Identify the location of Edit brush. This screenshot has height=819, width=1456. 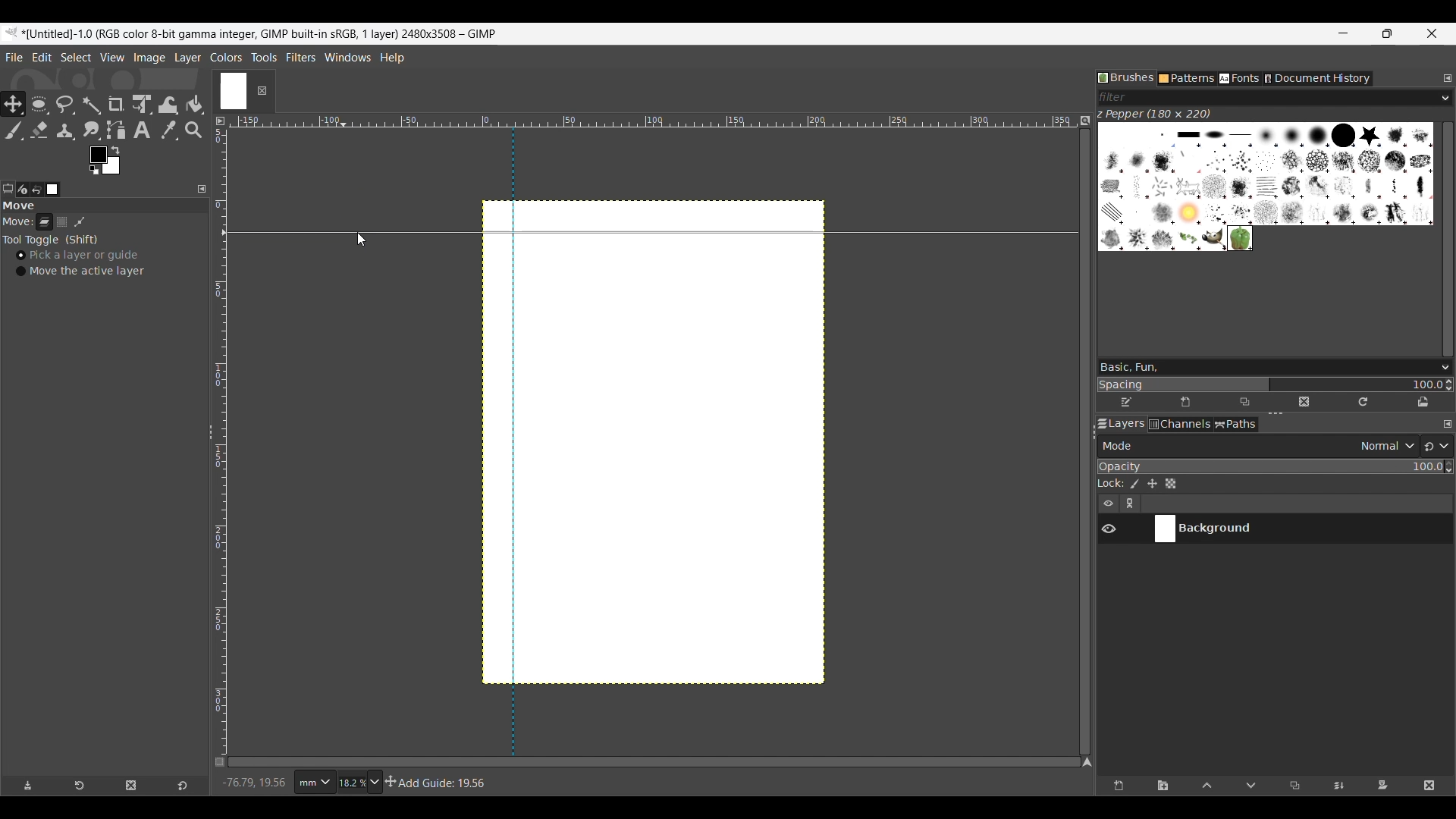
(1127, 400).